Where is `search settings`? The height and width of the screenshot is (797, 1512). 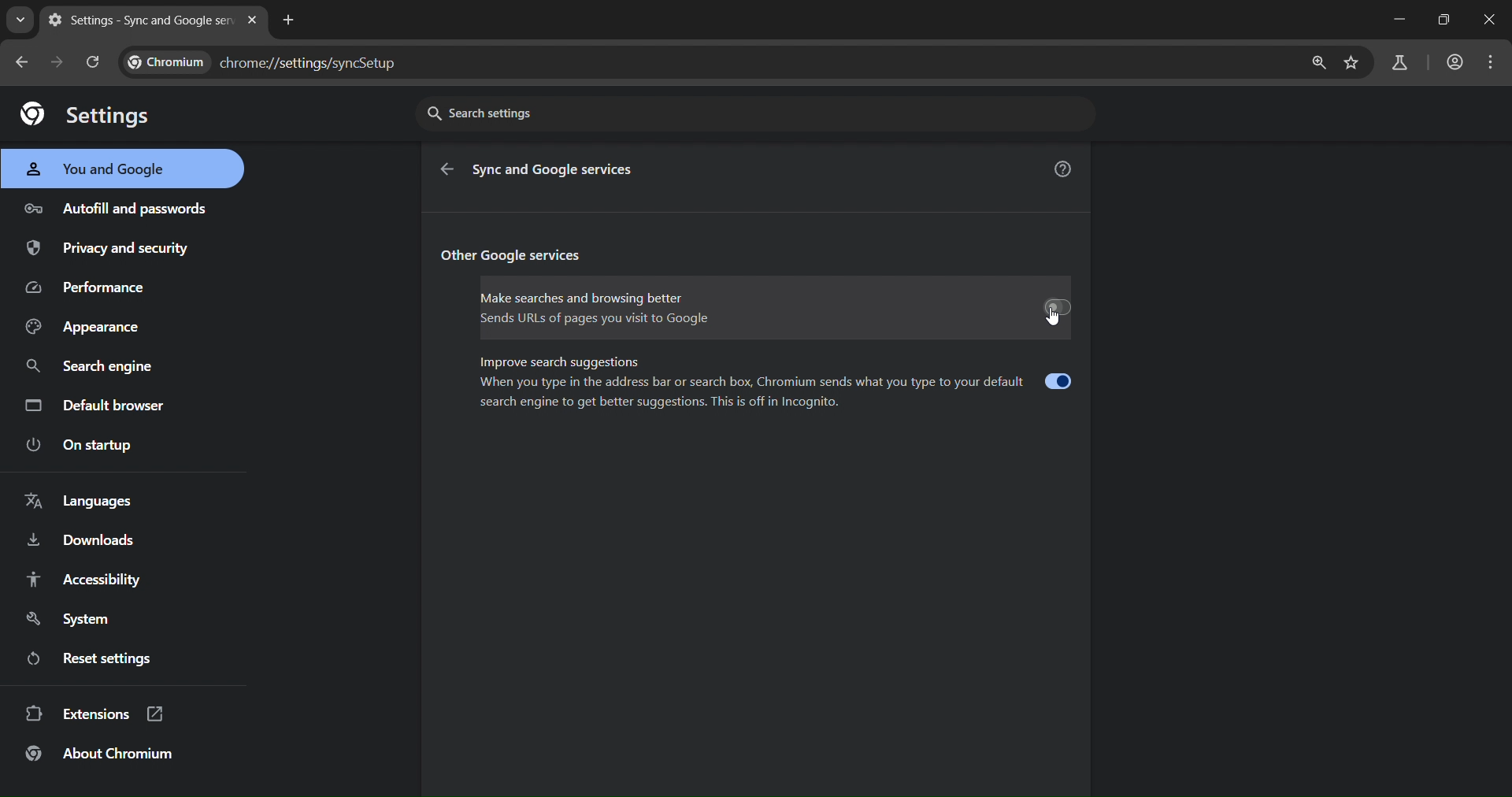 search settings is located at coordinates (754, 114).